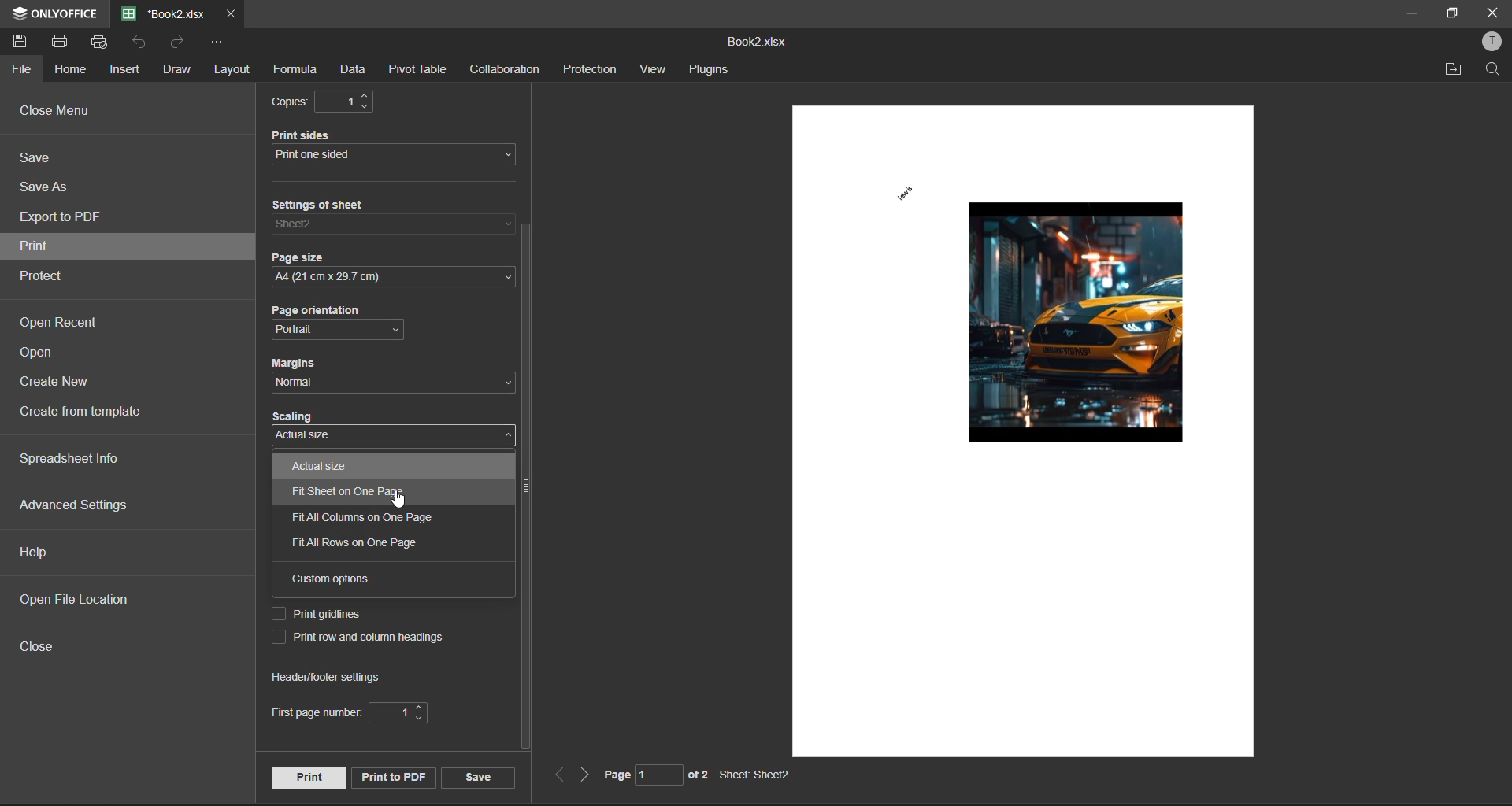 Image resolution: width=1512 pixels, height=806 pixels. What do you see at coordinates (66, 42) in the screenshot?
I see `print` at bounding box center [66, 42].